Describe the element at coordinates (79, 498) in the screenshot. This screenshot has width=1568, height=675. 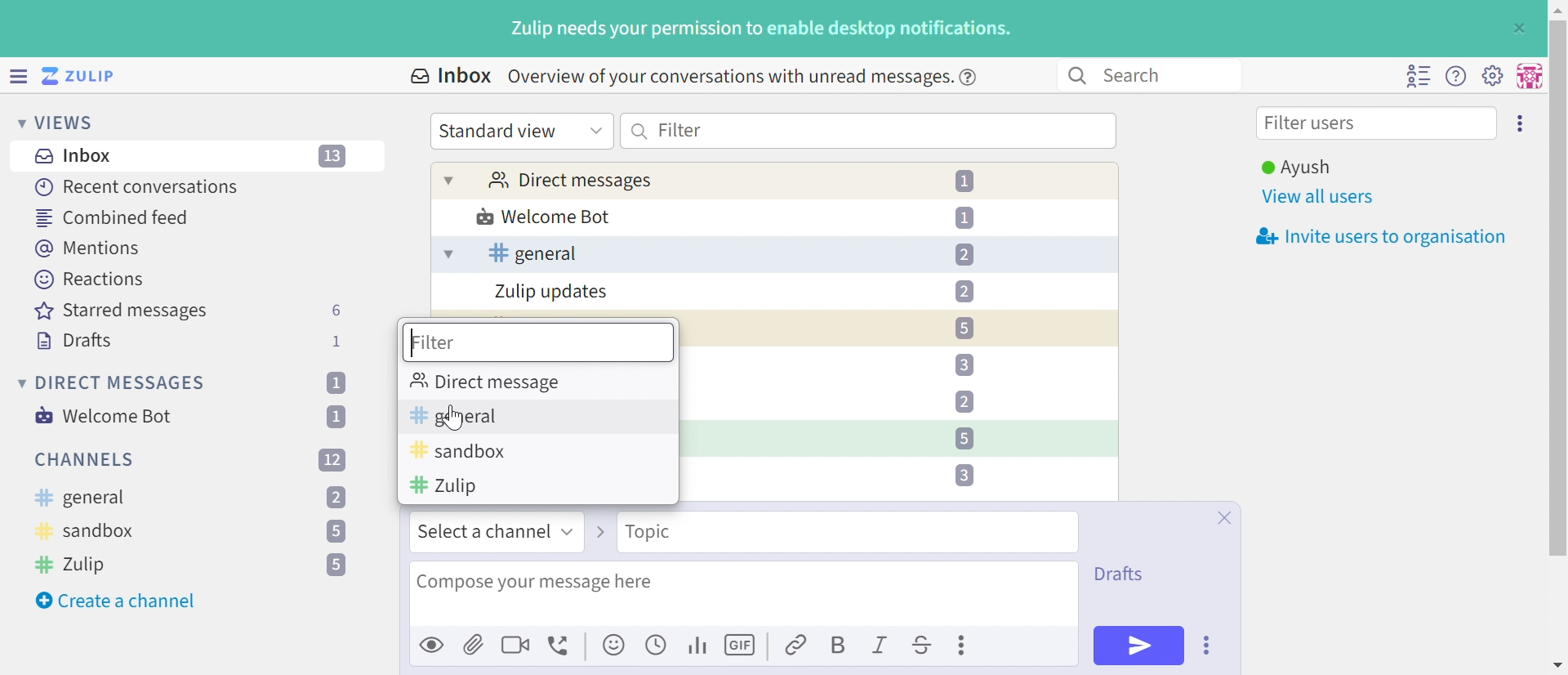
I see `general` at that location.